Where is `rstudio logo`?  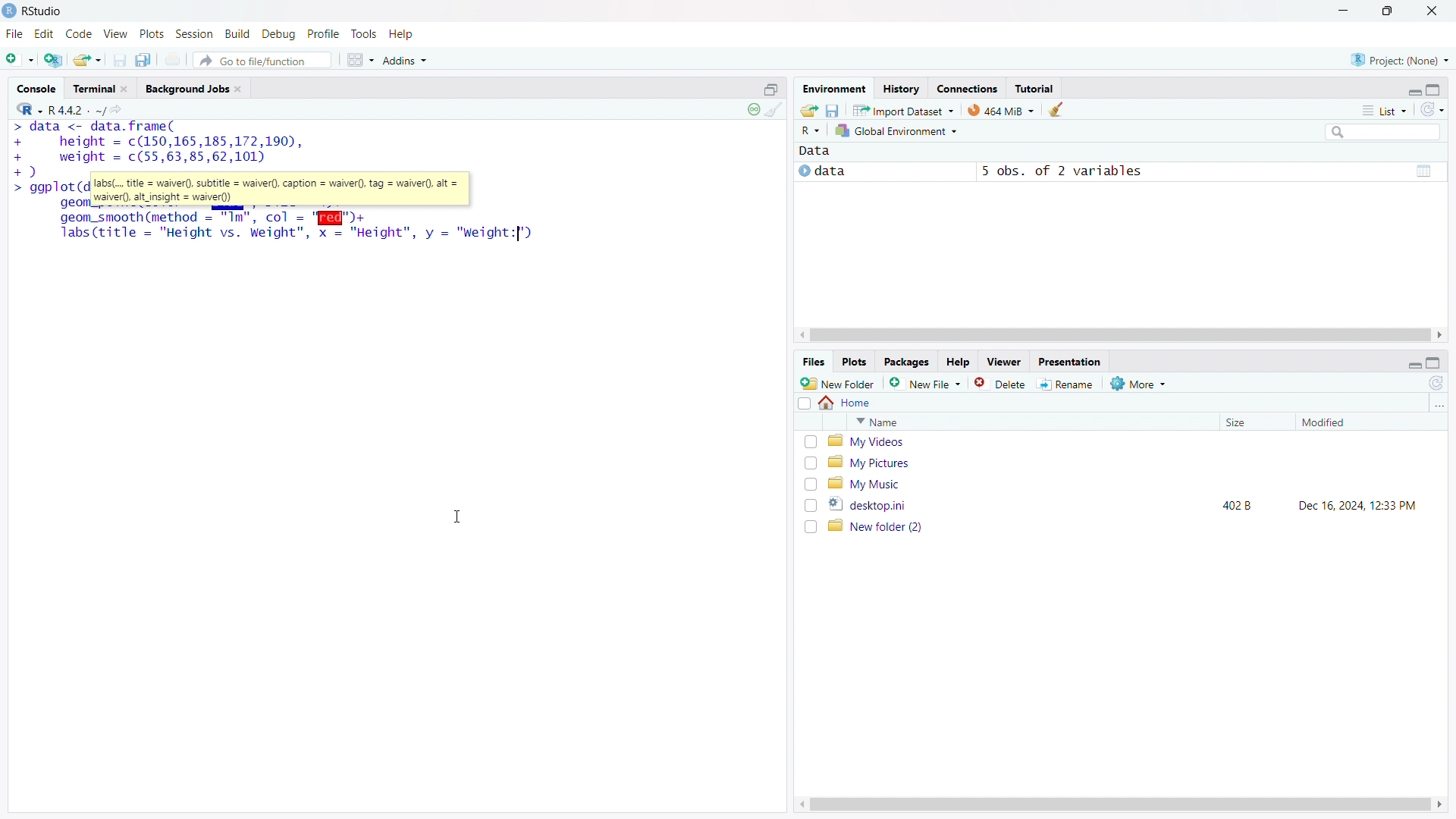
rstudio logo is located at coordinates (9, 11).